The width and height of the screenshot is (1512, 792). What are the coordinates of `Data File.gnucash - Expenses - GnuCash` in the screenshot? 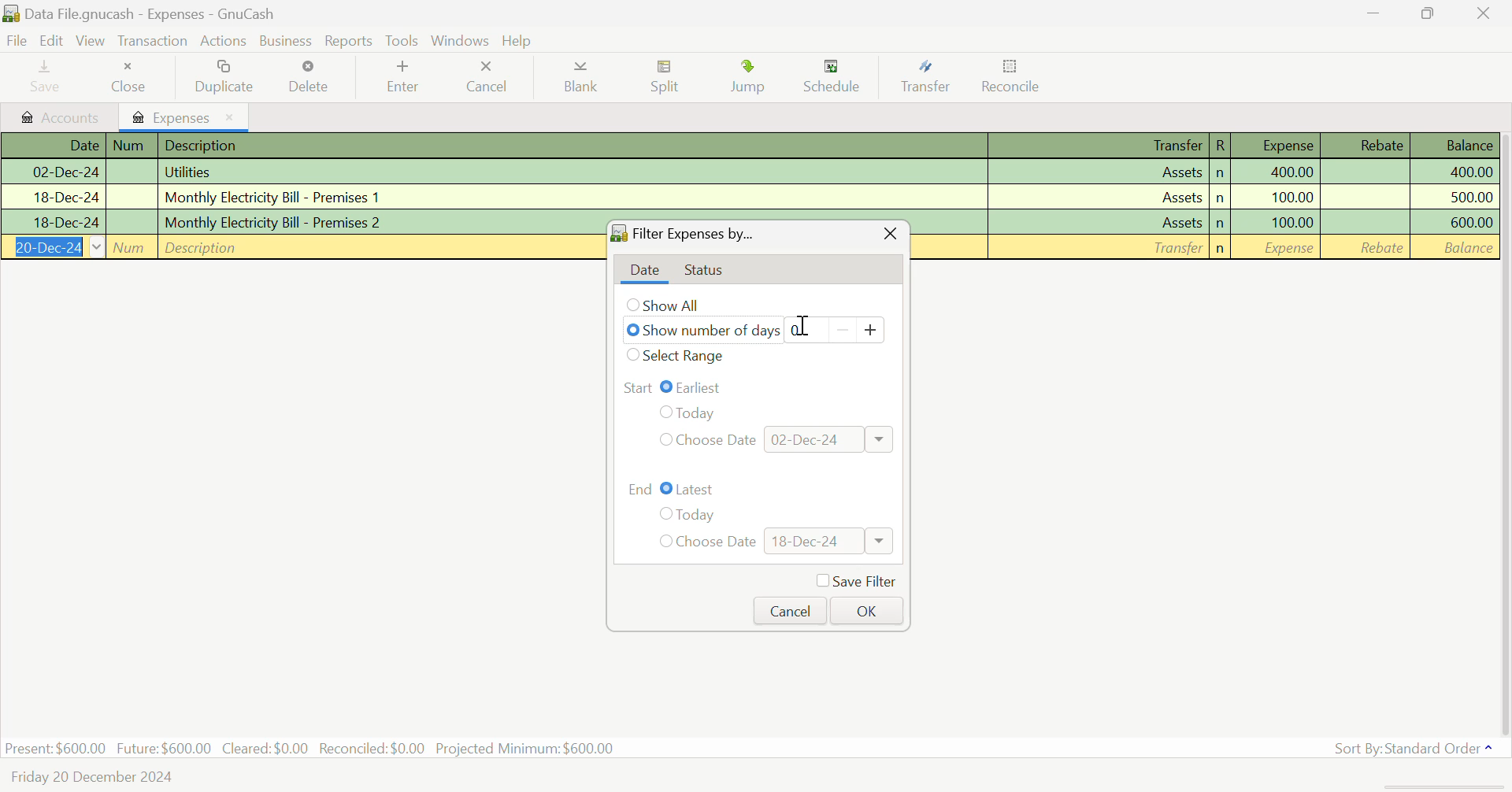 It's located at (141, 13).